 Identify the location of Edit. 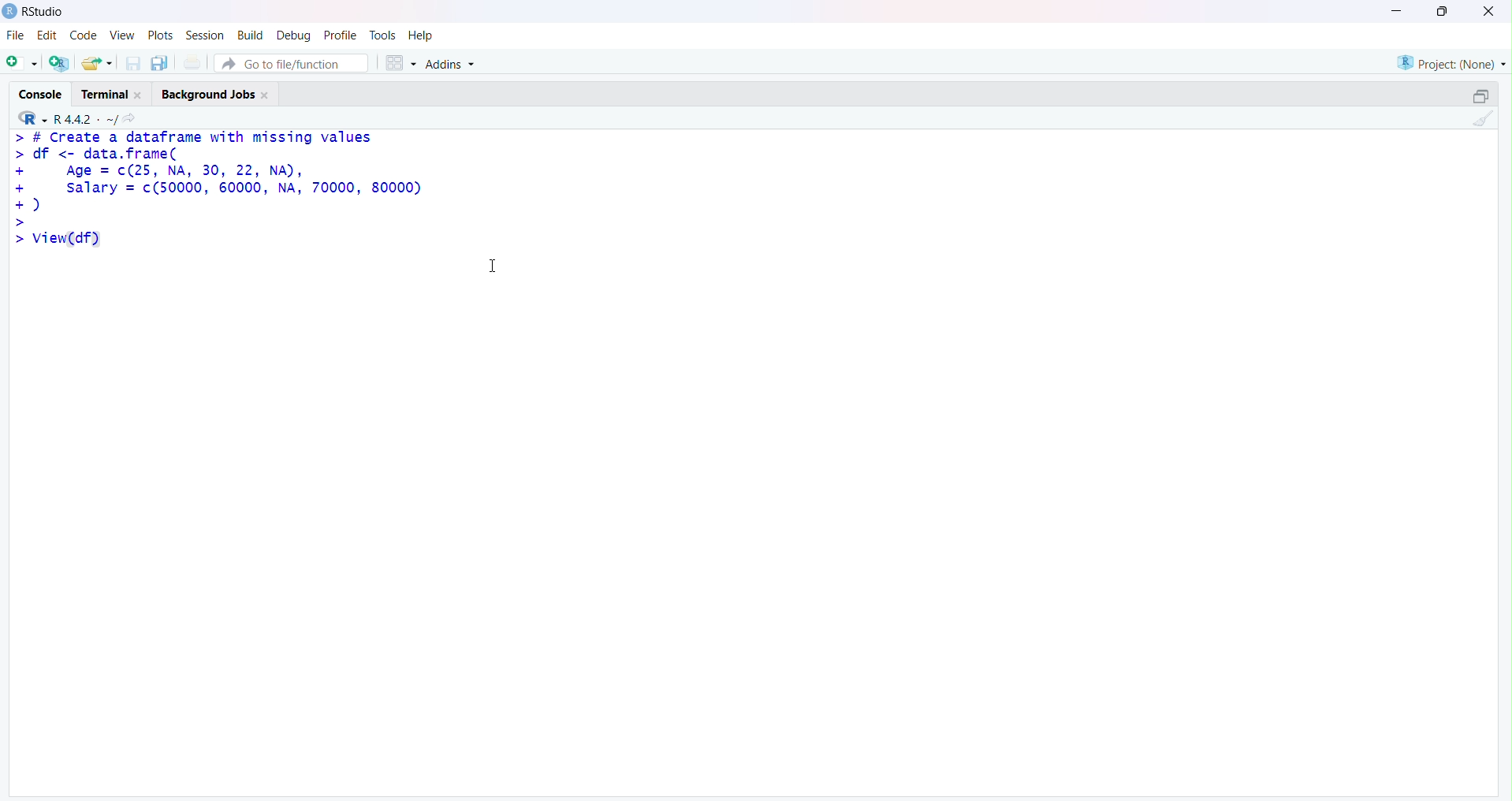
(48, 35).